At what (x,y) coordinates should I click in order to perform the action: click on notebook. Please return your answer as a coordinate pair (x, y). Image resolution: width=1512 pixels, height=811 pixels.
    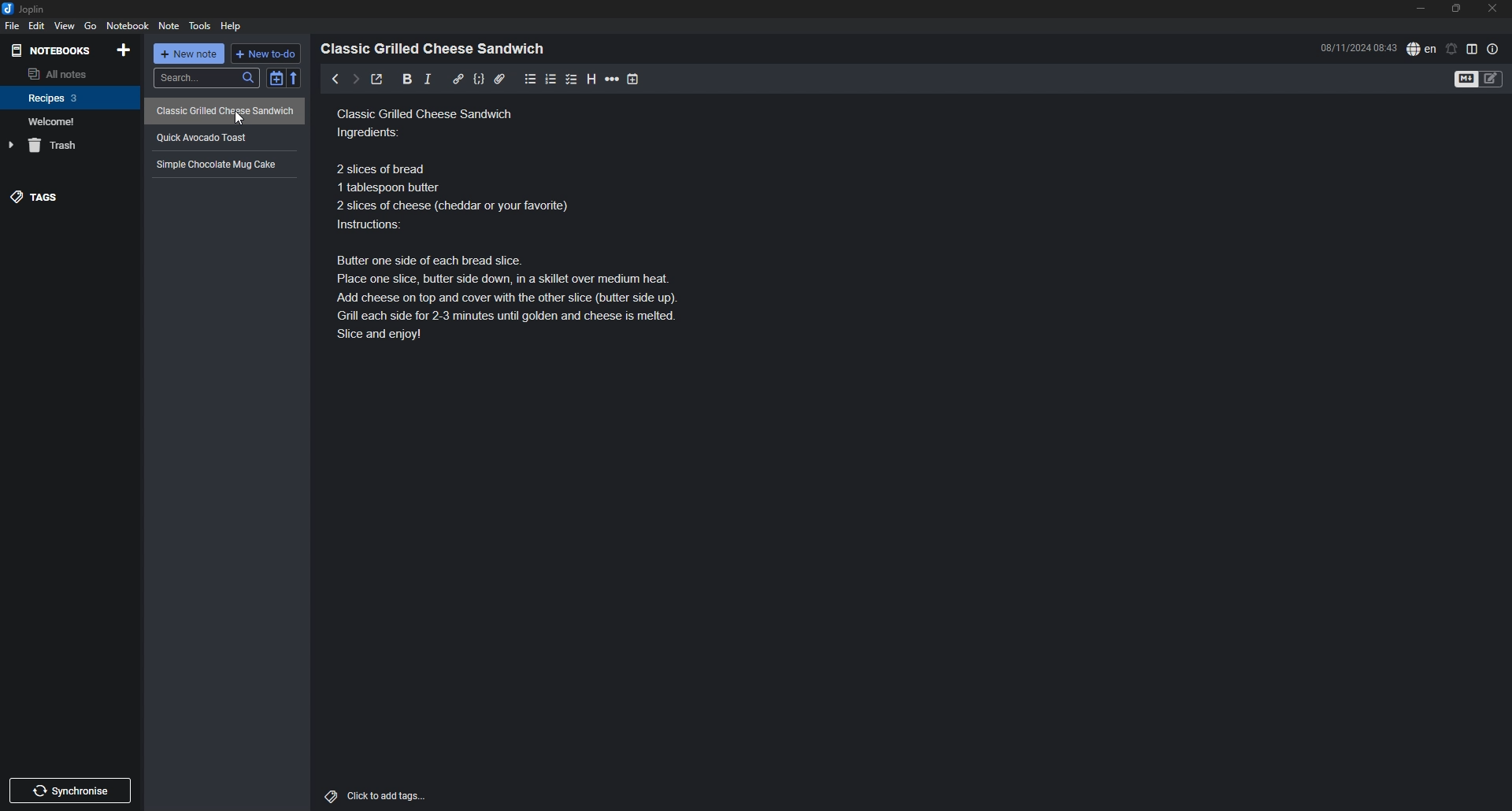
    Looking at the image, I should click on (129, 25).